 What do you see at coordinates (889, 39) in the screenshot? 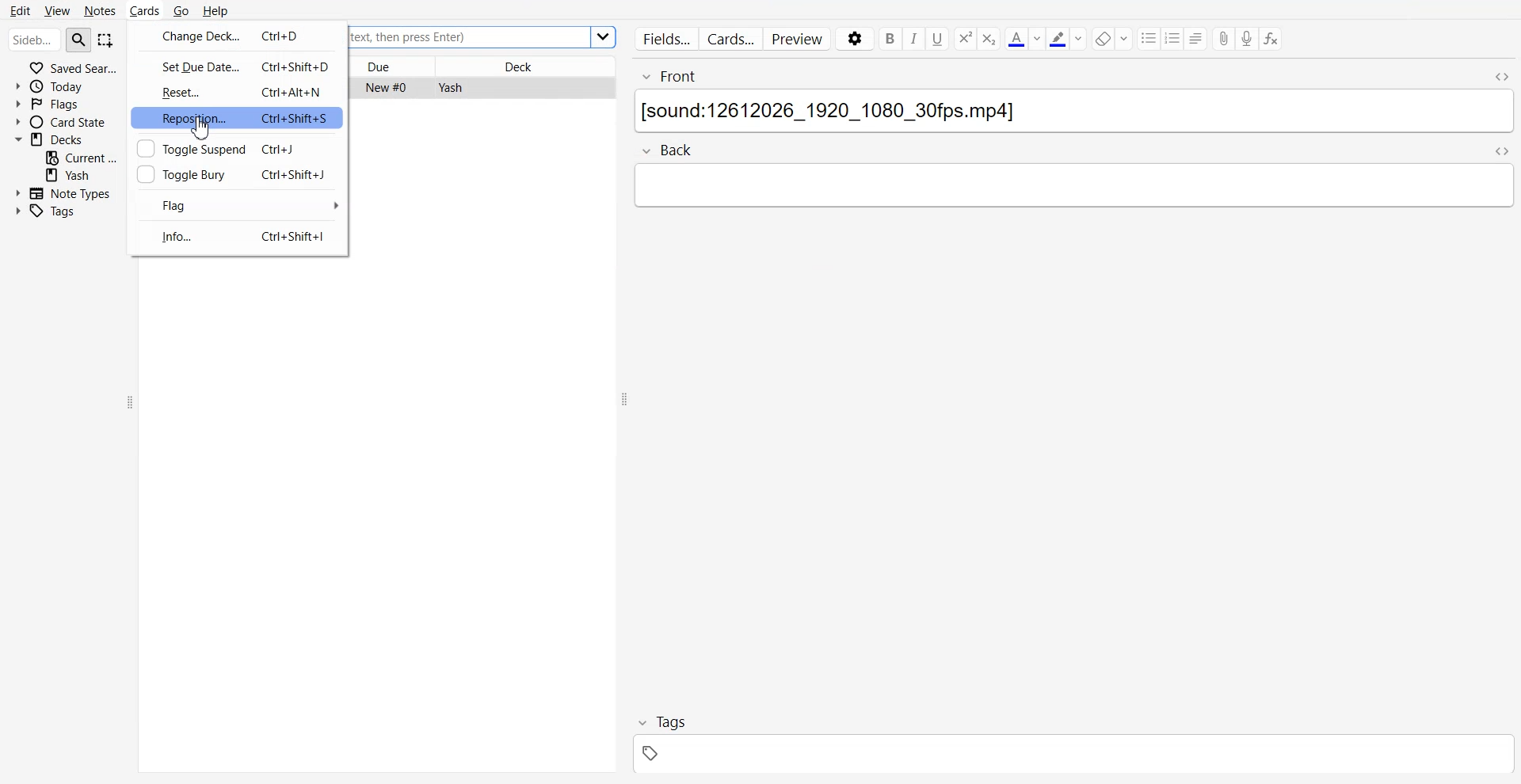
I see `Bold` at bounding box center [889, 39].